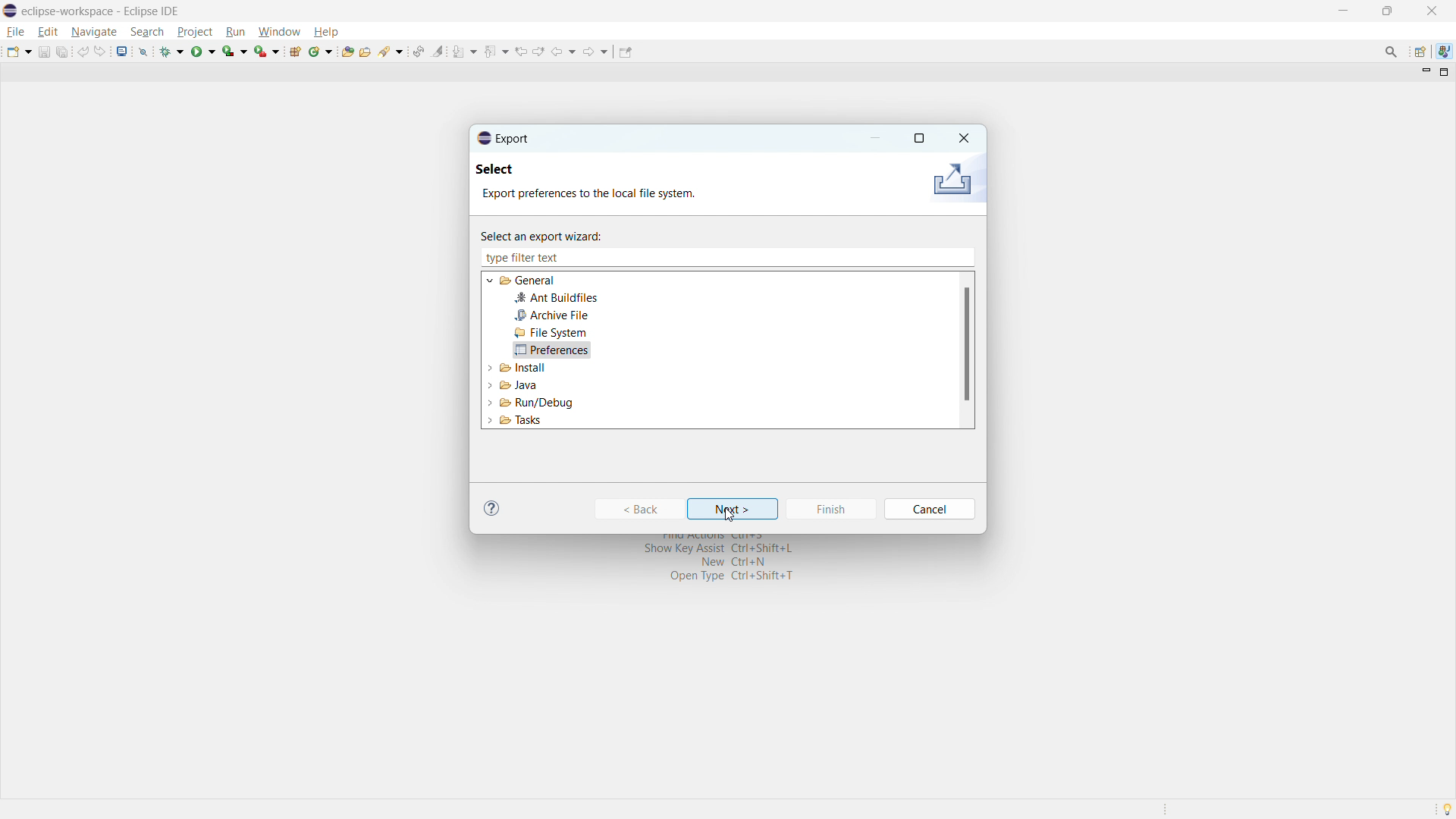  Describe the element at coordinates (17, 32) in the screenshot. I see `file` at that location.